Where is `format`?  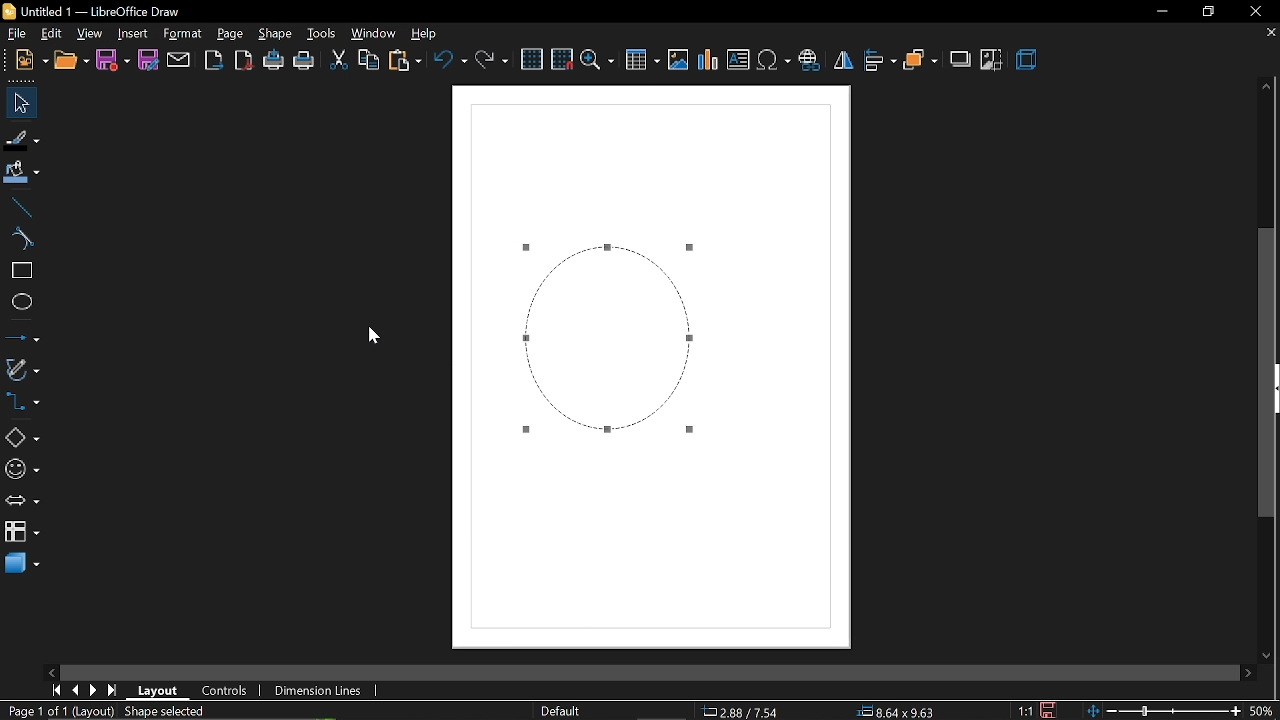
format is located at coordinates (183, 34).